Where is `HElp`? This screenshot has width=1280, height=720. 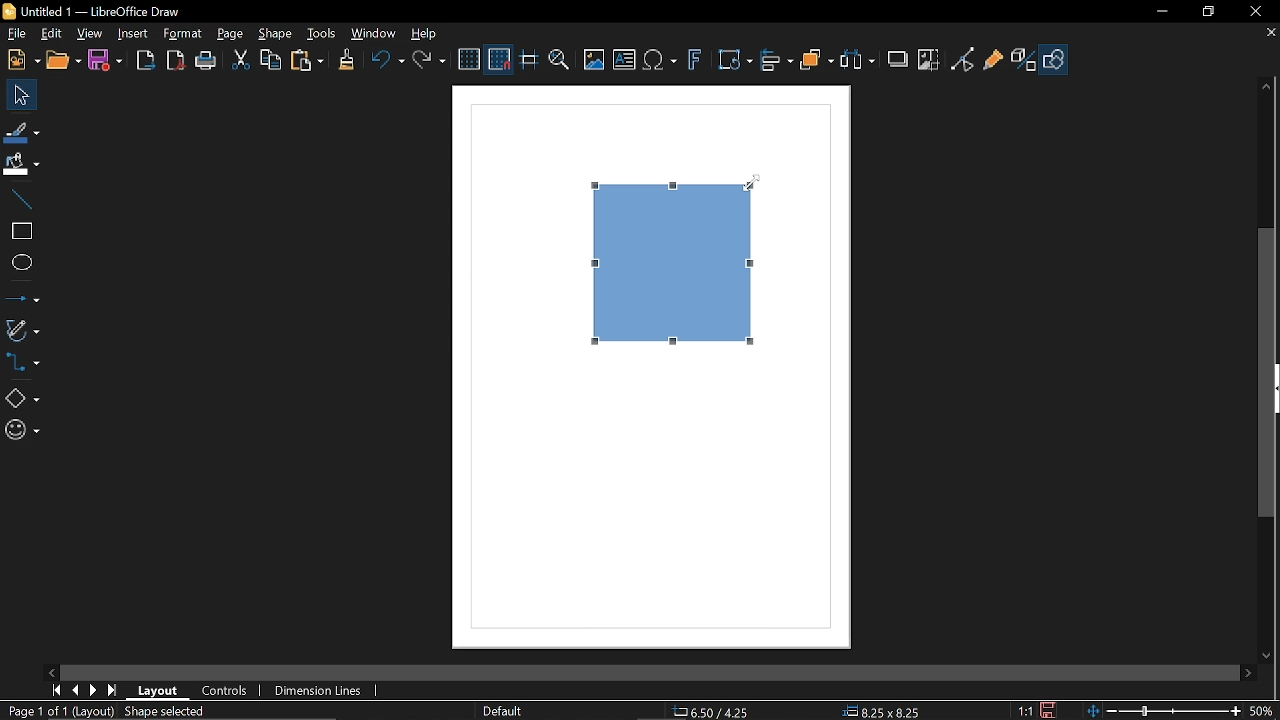 HElp is located at coordinates (427, 36).